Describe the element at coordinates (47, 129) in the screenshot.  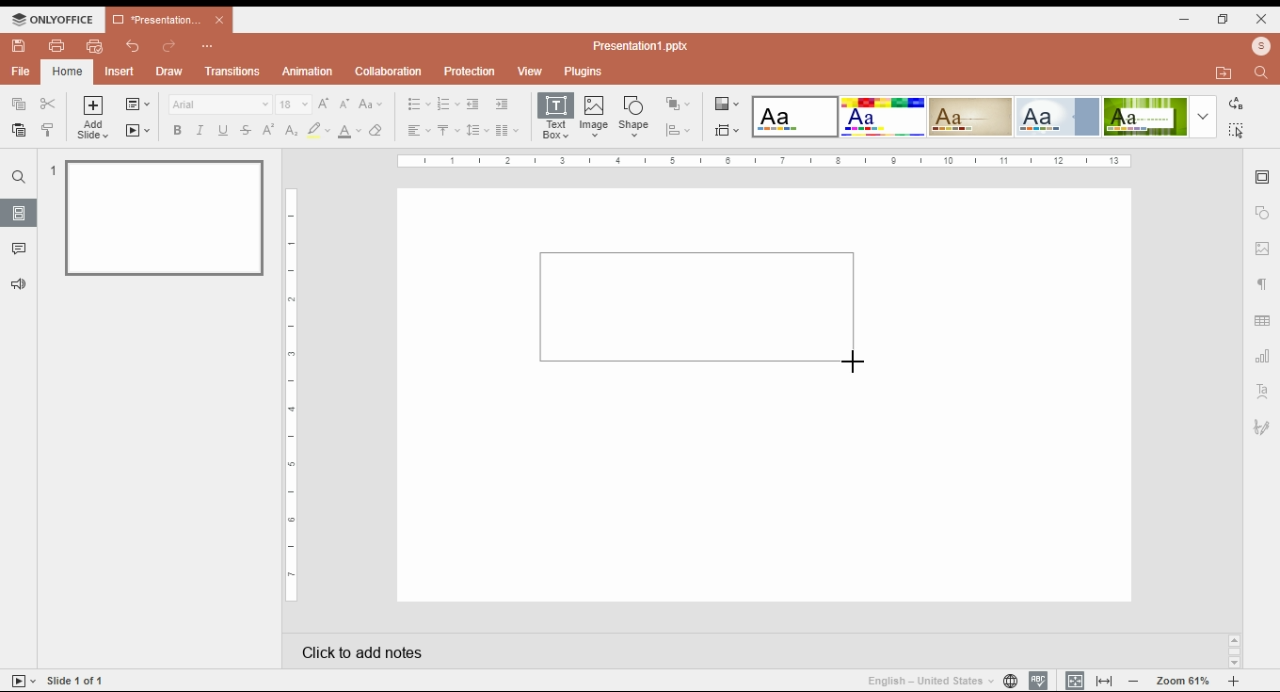
I see `copy style` at that location.